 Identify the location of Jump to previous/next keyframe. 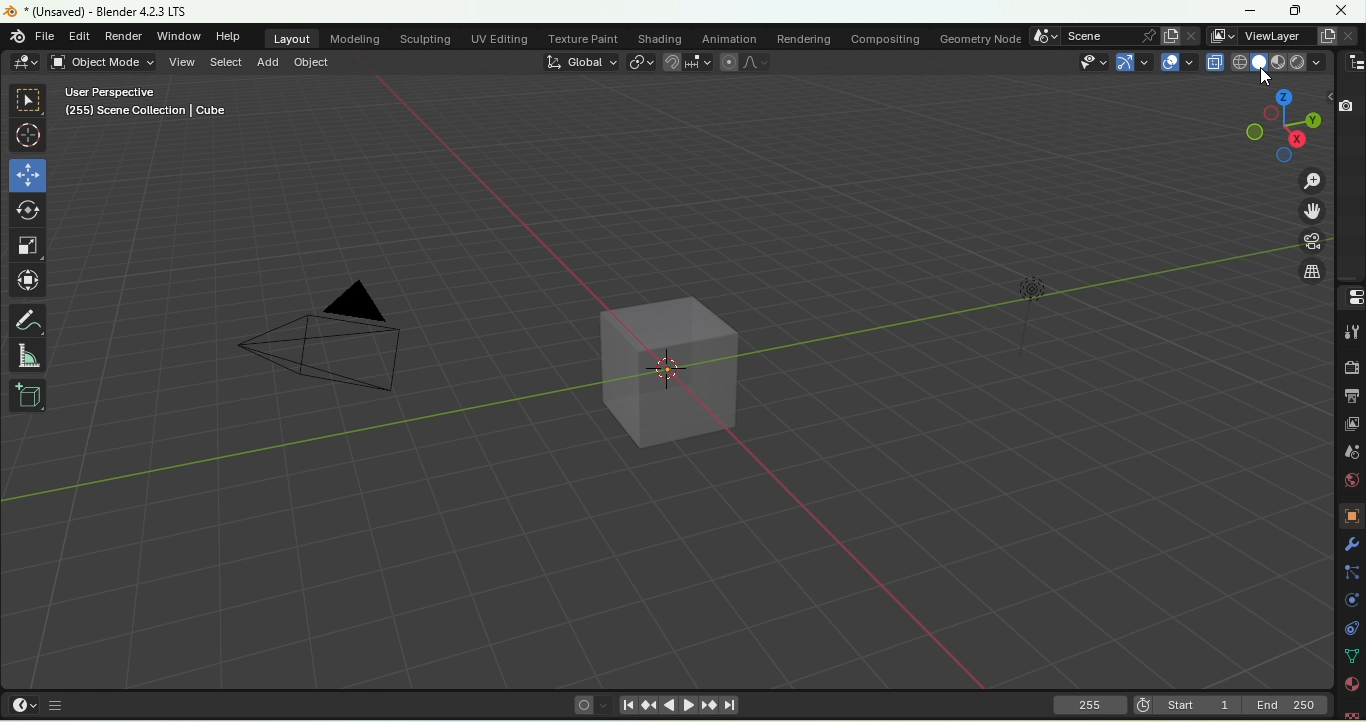
(707, 705).